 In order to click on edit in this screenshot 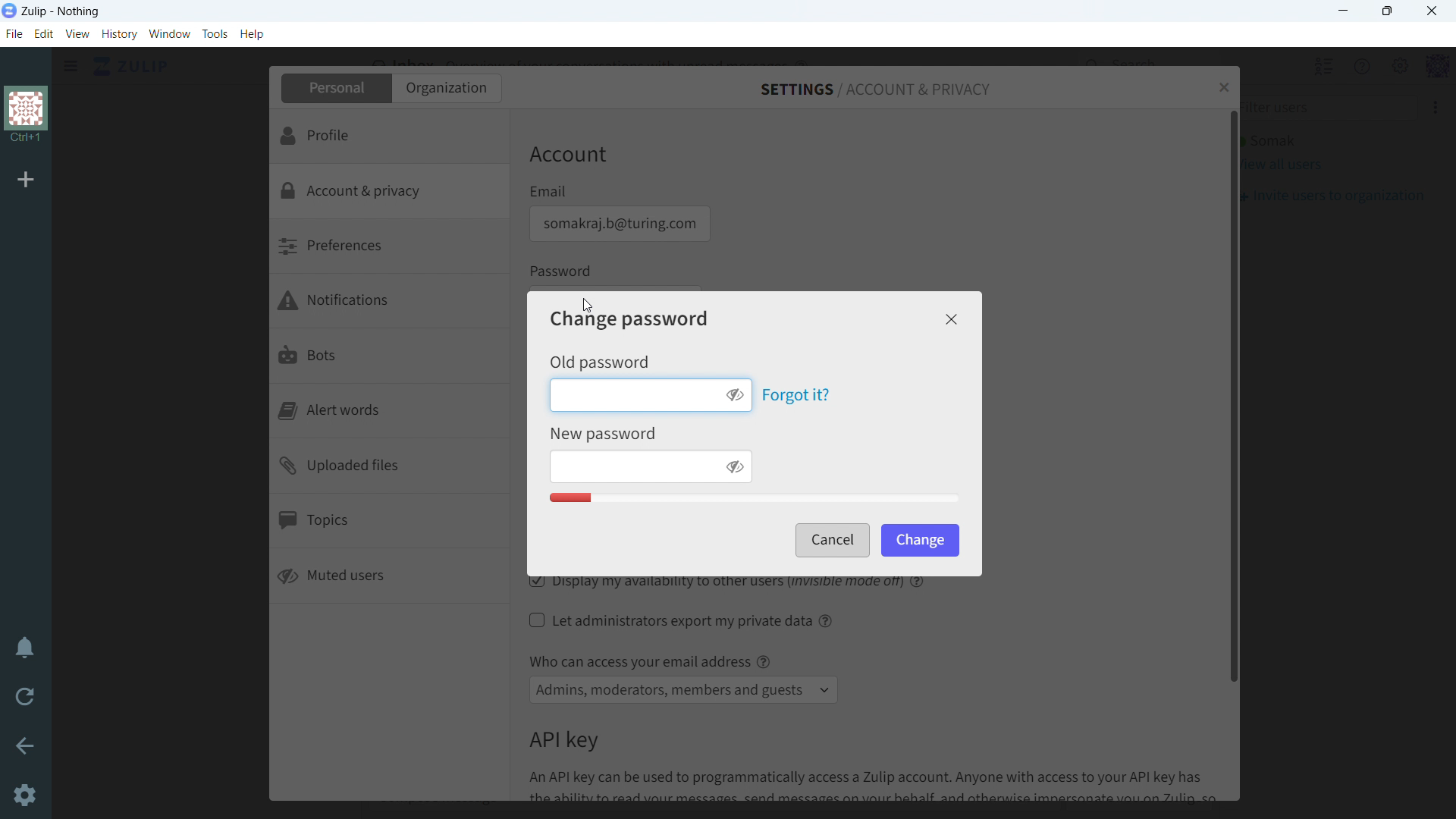, I will do `click(43, 34)`.